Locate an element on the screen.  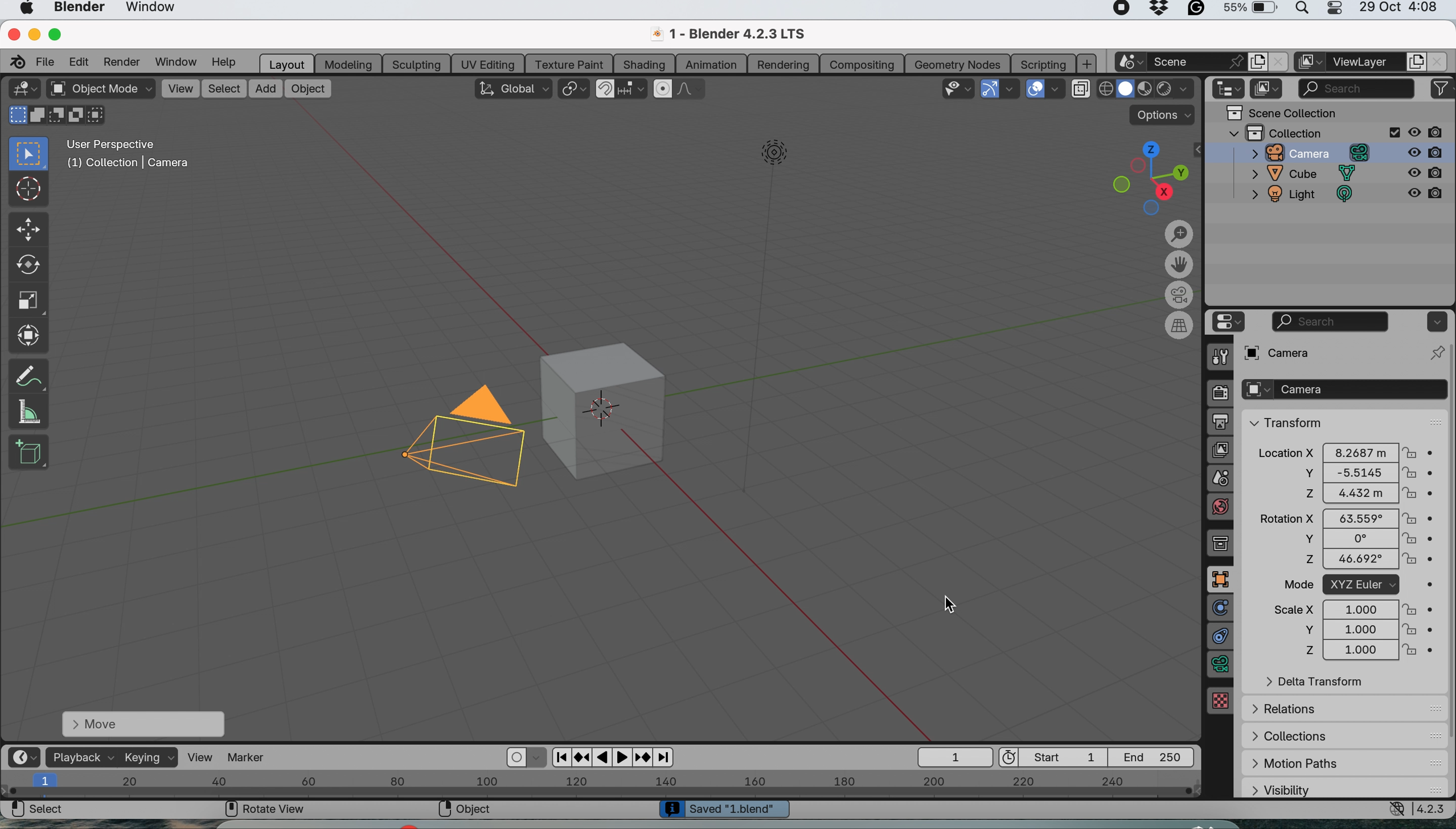
horizontal scale is located at coordinates (601, 783).